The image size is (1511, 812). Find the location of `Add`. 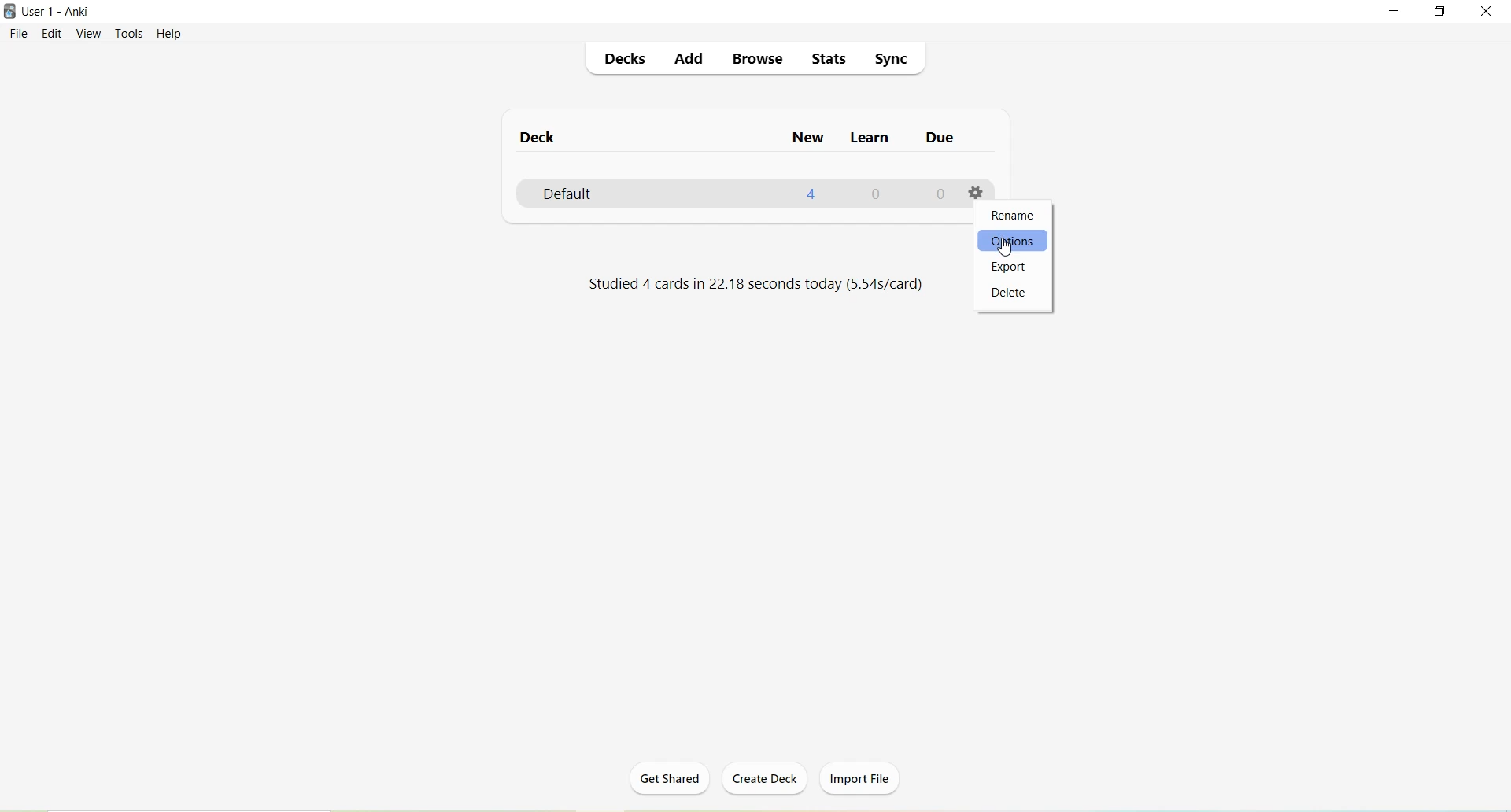

Add is located at coordinates (689, 60).